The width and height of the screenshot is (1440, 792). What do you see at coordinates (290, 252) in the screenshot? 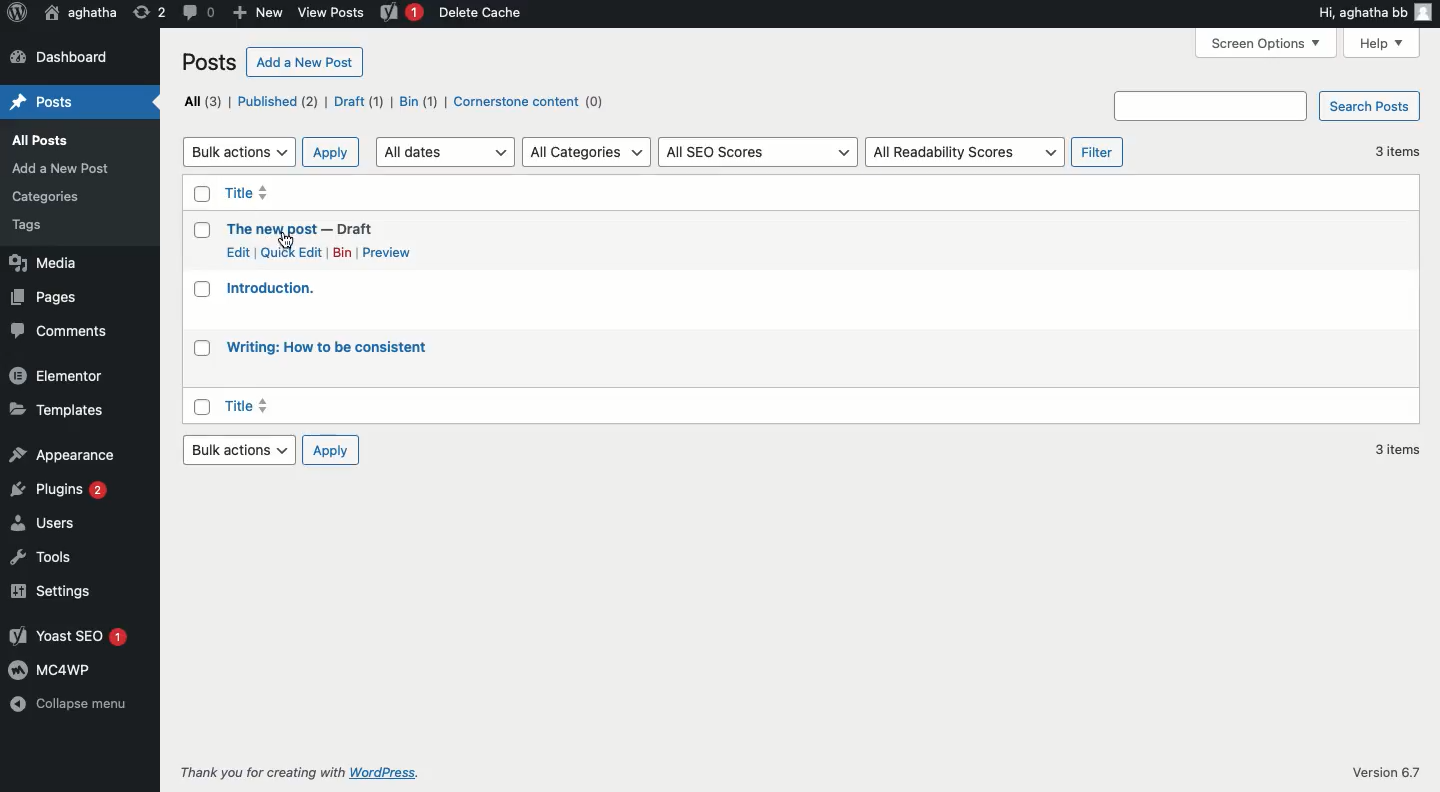
I see `Quick edit` at bounding box center [290, 252].